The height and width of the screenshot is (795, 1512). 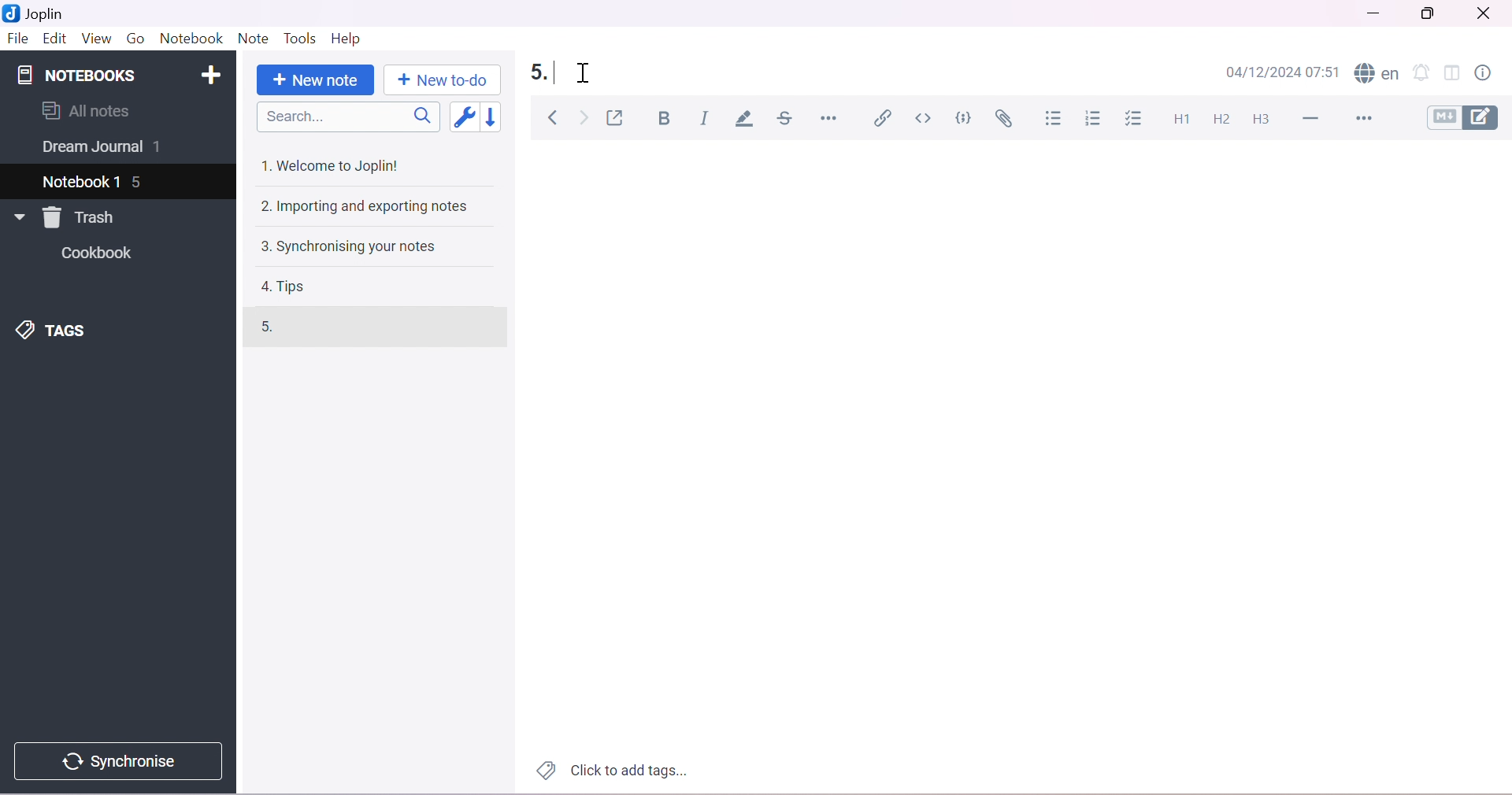 What do you see at coordinates (346, 37) in the screenshot?
I see `Help` at bounding box center [346, 37].